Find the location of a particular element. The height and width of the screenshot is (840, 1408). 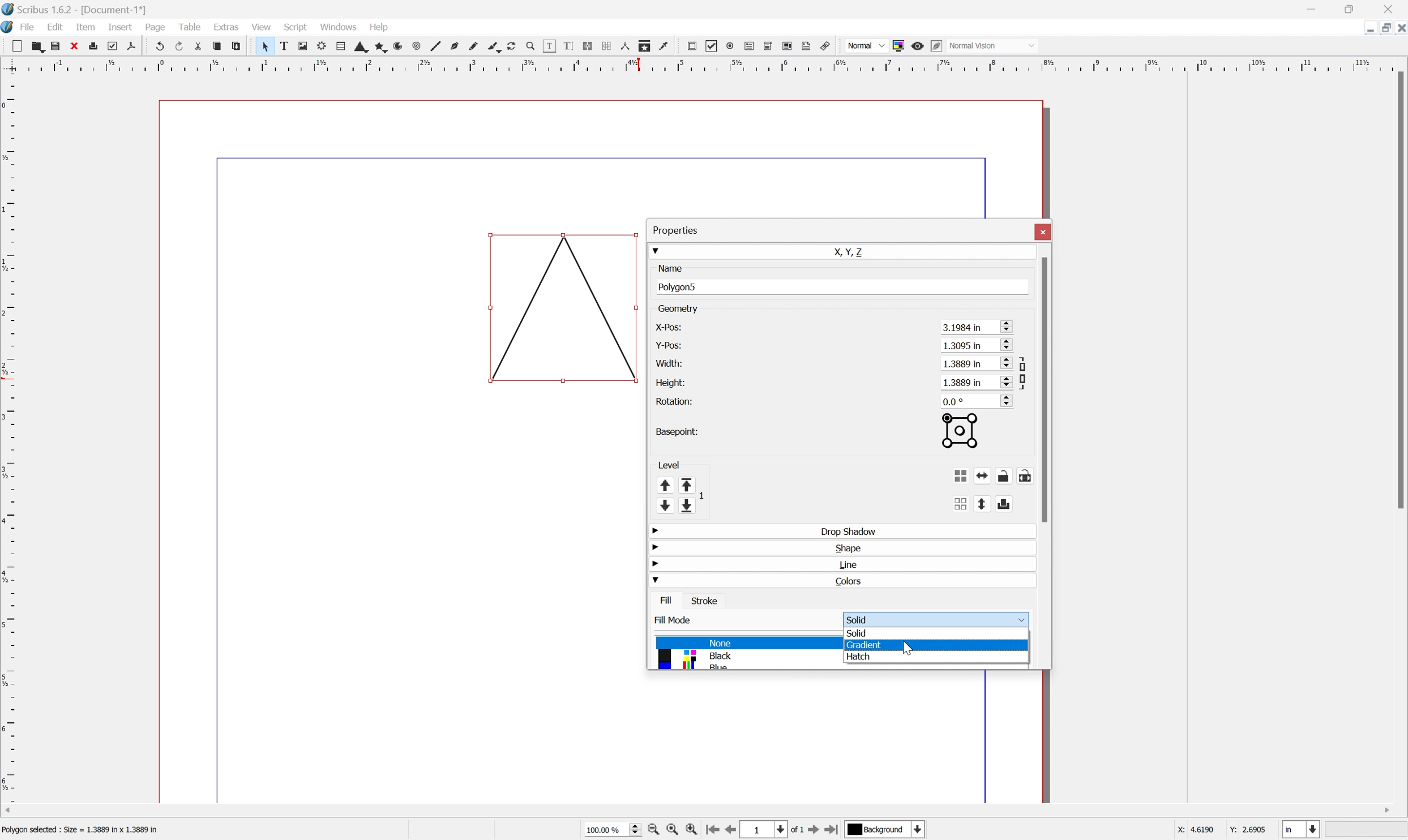

1.3889 in is located at coordinates (976, 363).